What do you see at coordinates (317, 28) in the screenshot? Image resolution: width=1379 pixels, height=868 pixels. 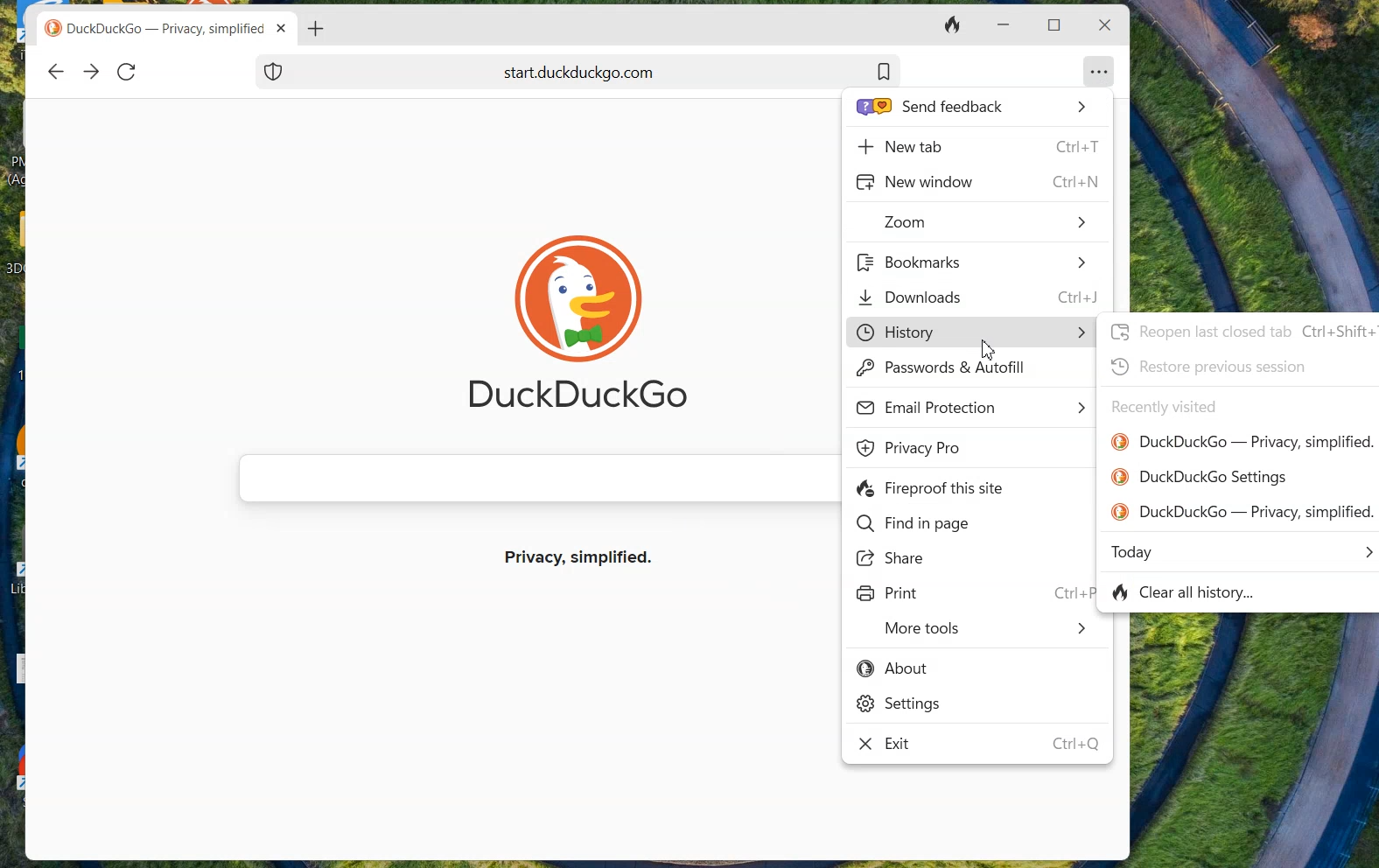 I see `Add new Tab` at bounding box center [317, 28].